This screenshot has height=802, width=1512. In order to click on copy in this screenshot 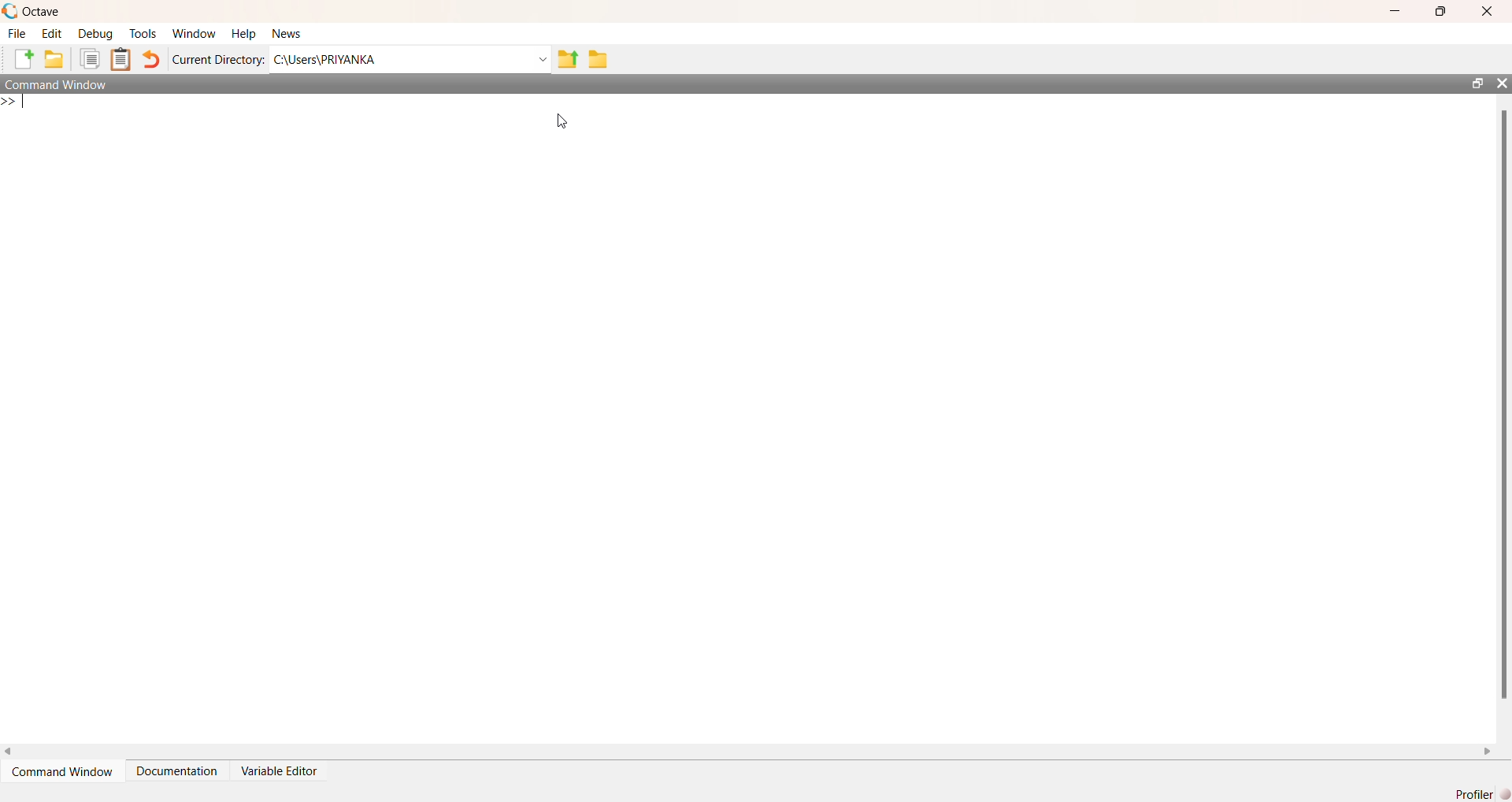, I will do `click(89, 60)`.